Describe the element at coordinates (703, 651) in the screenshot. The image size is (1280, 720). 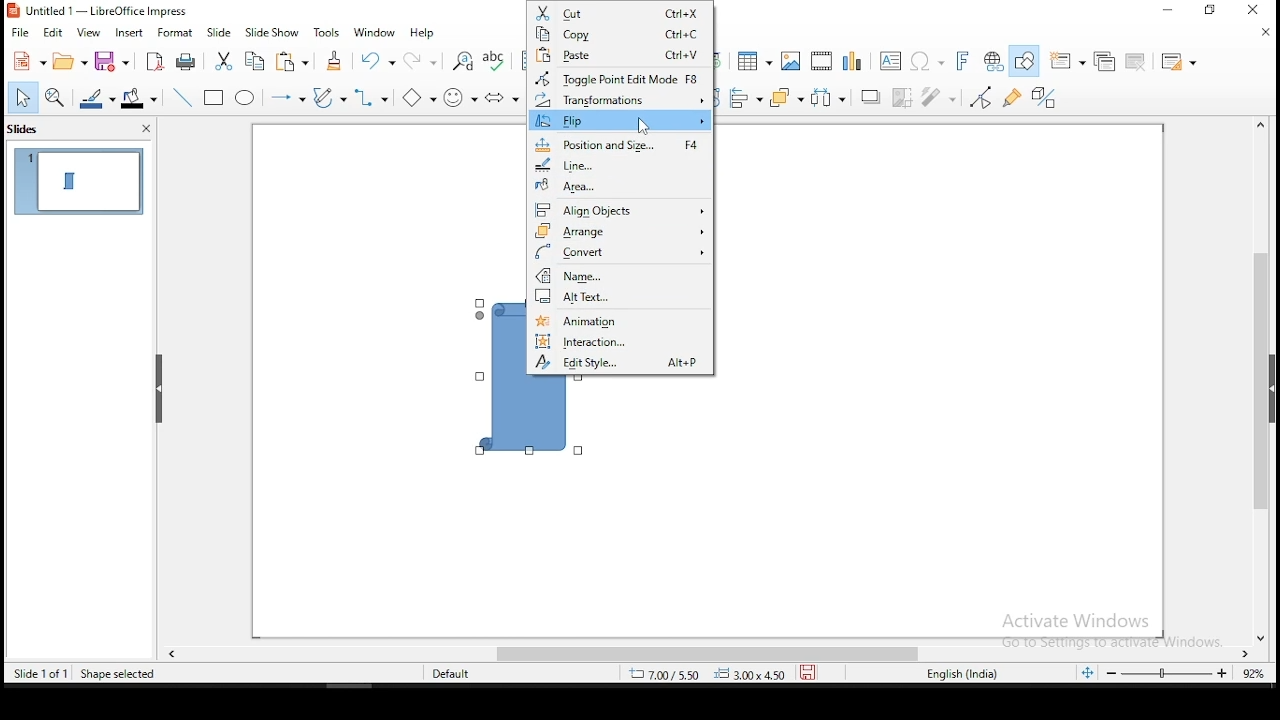
I see `scroll bar` at that location.